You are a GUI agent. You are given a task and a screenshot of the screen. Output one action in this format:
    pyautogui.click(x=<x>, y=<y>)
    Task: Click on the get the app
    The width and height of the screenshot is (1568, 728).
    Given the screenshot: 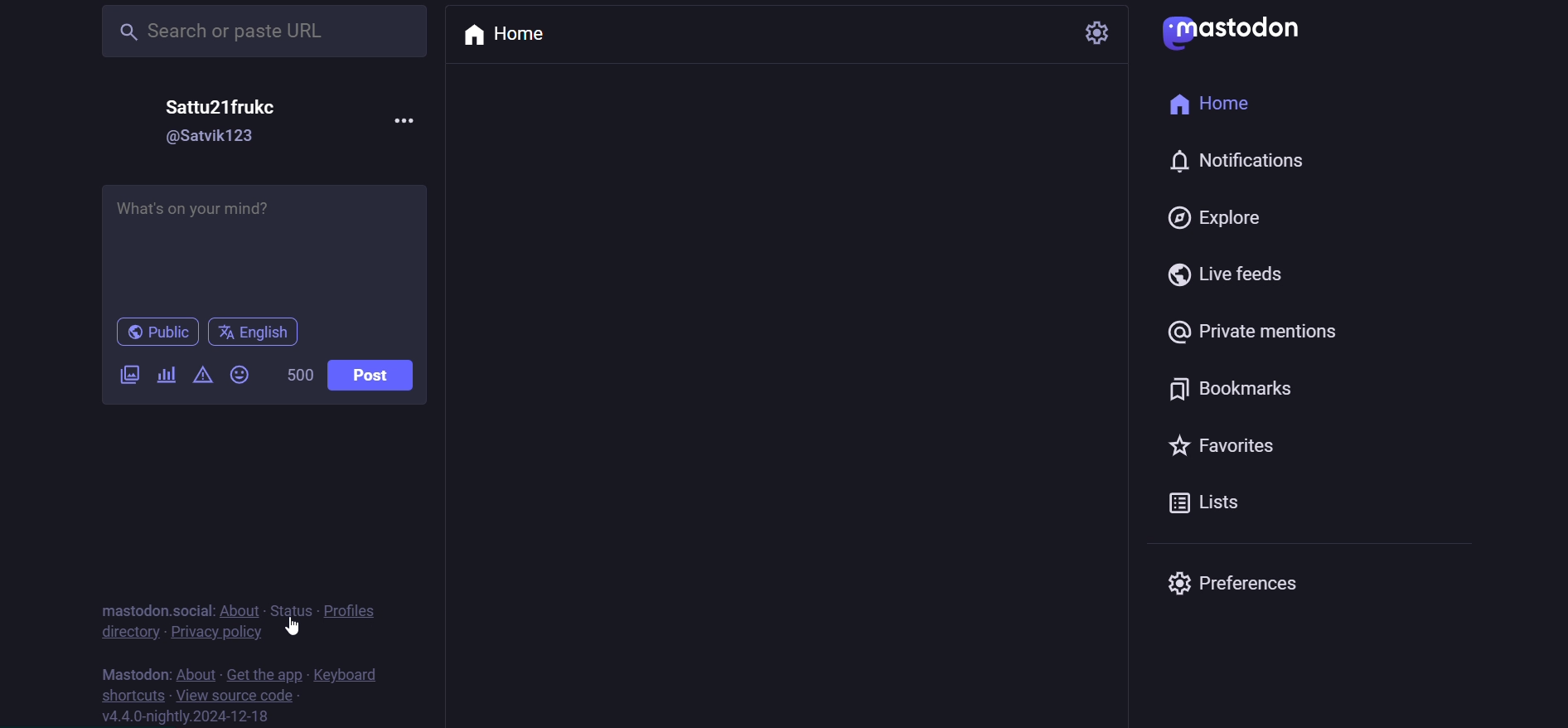 What is the action you would take?
    pyautogui.click(x=264, y=672)
    